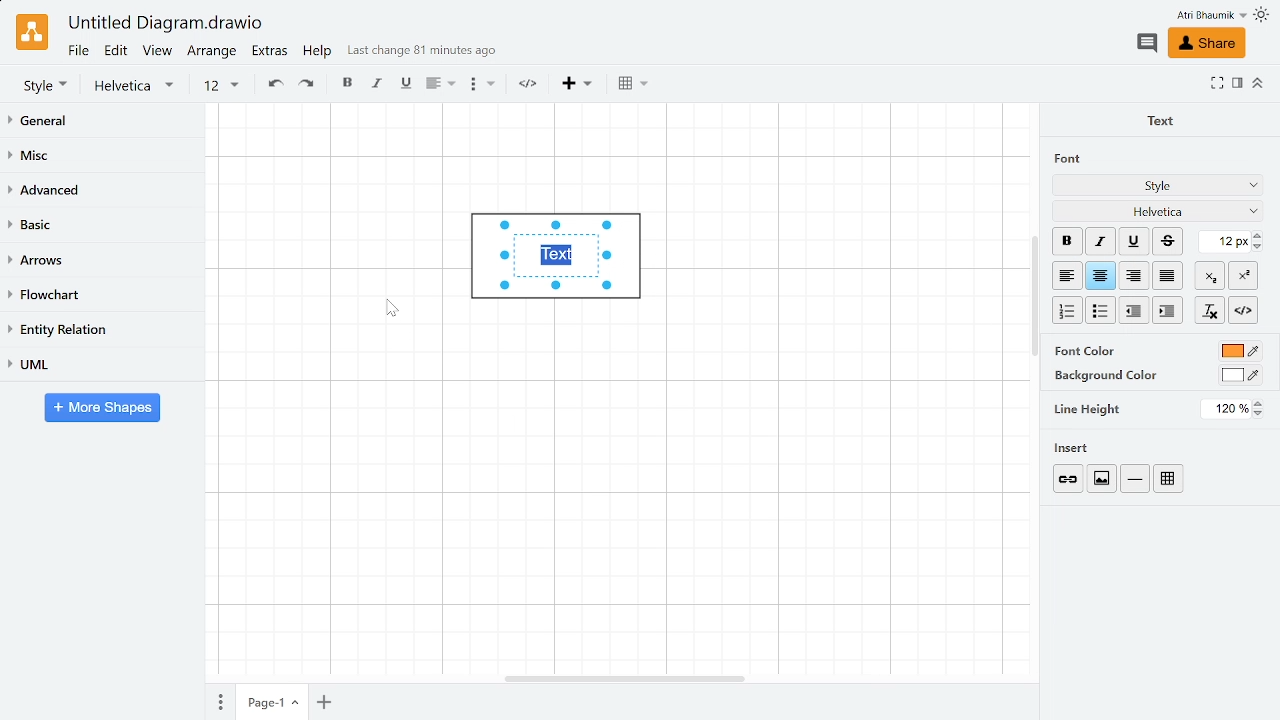  I want to click on Current window, so click(164, 24).